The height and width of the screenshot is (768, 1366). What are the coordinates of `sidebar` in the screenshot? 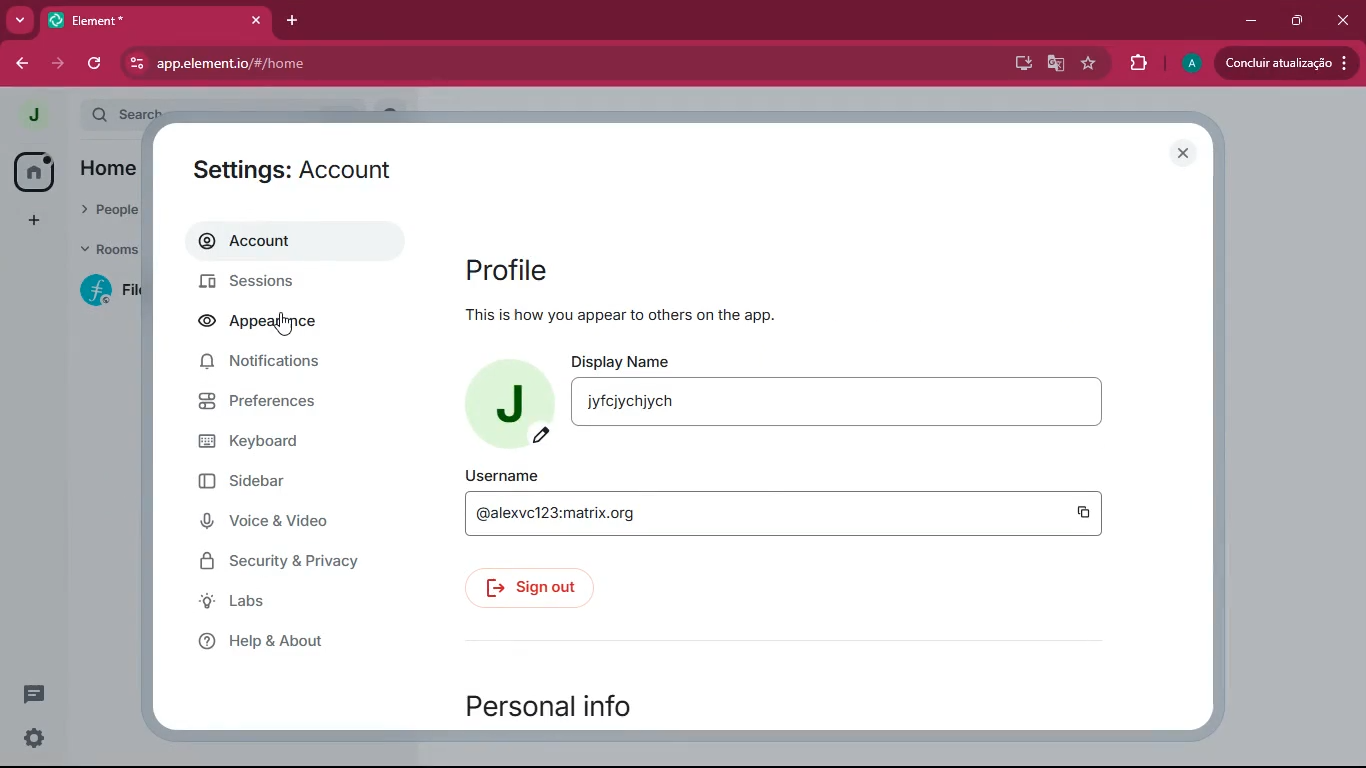 It's located at (277, 482).